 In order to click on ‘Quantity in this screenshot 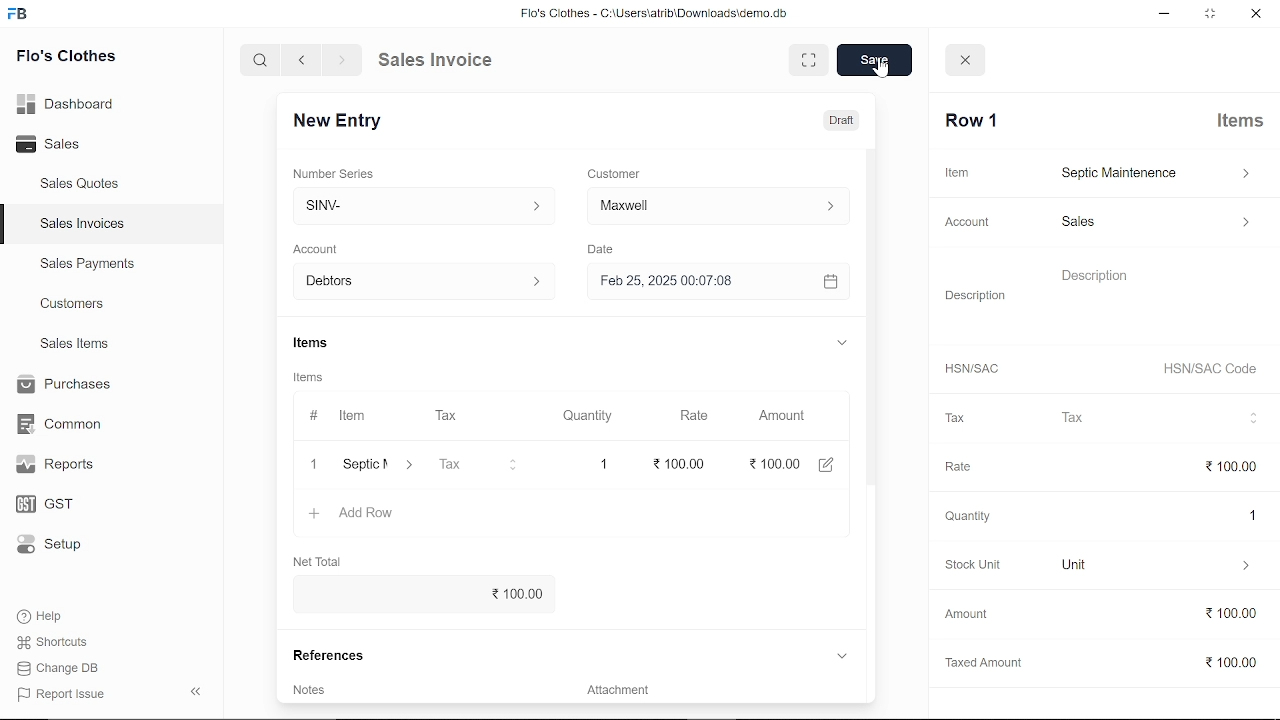, I will do `click(965, 516)`.